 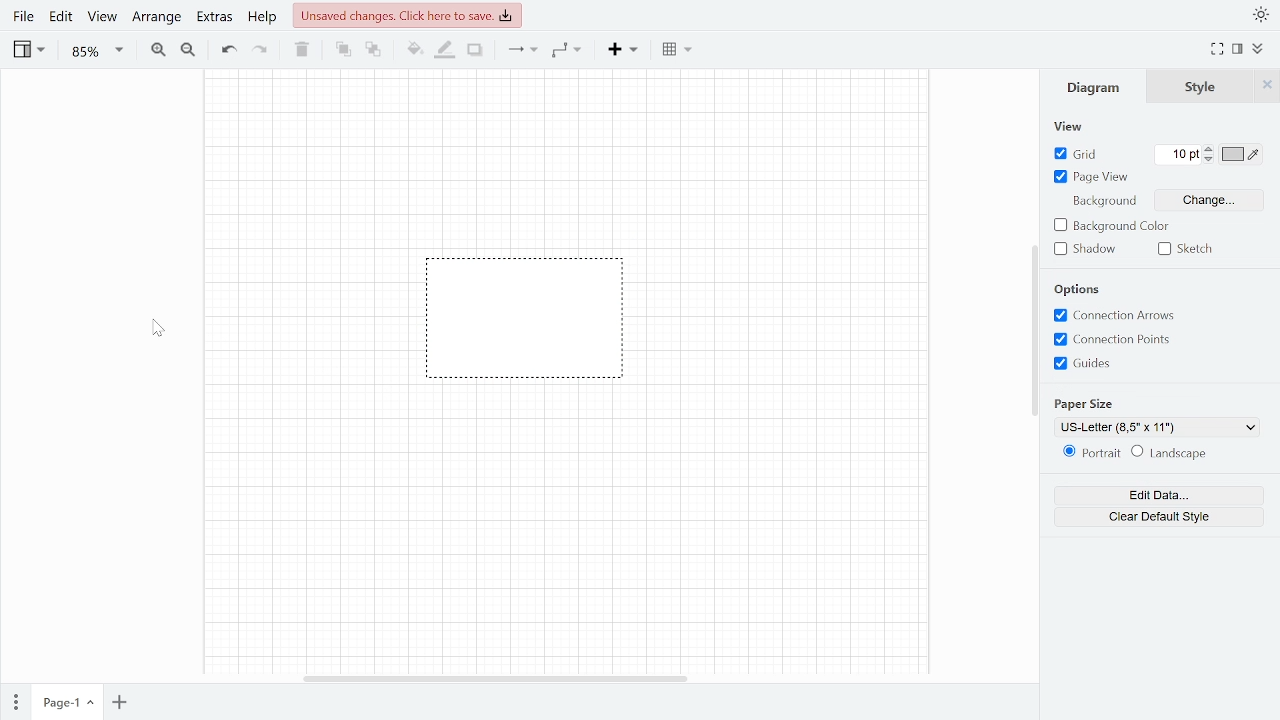 What do you see at coordinates (303, 50) in the screenshot?
I see `Delete` at bounding box center [303, 50].